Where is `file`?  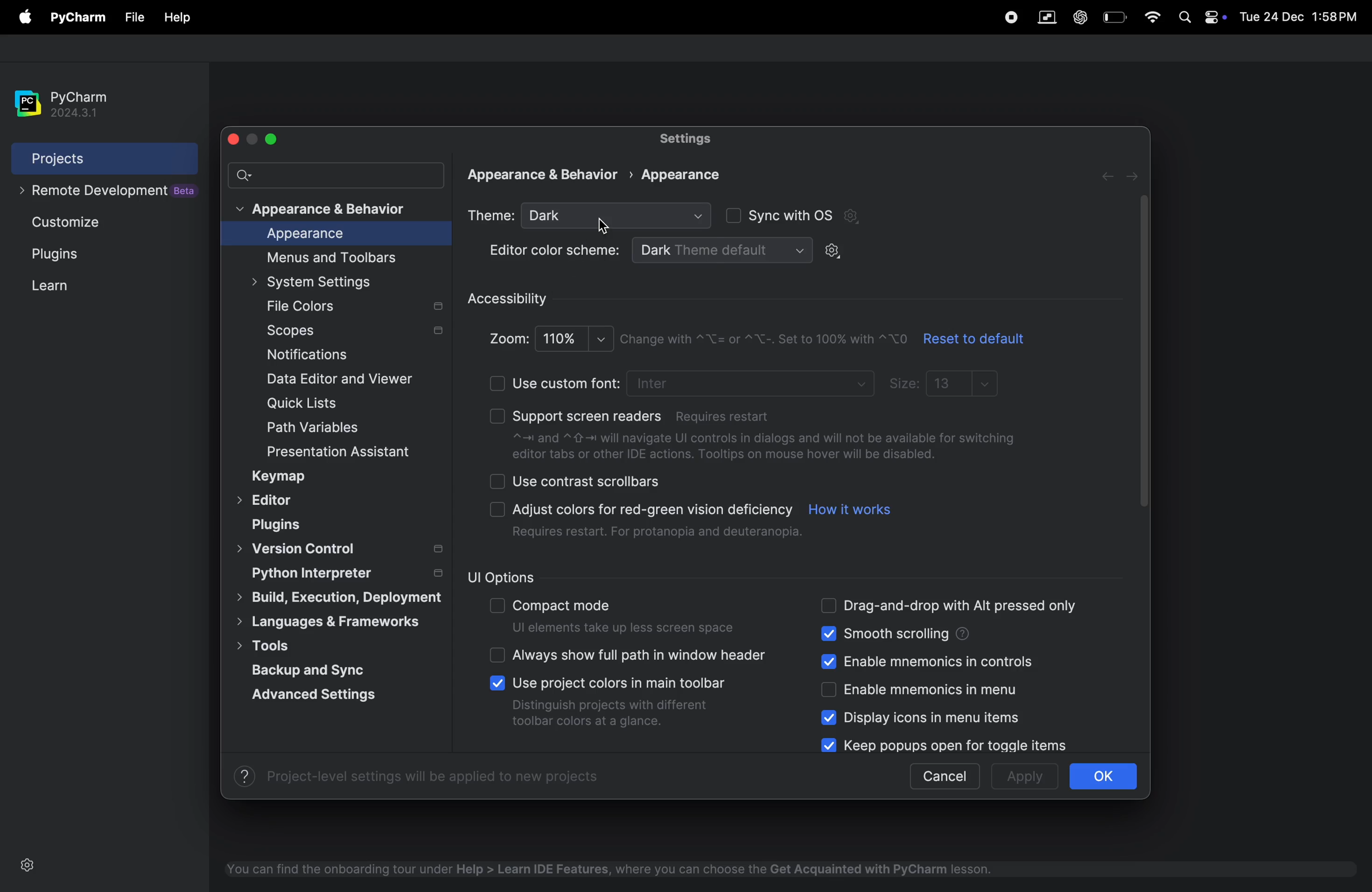
file is located at coordinates (135, 17).